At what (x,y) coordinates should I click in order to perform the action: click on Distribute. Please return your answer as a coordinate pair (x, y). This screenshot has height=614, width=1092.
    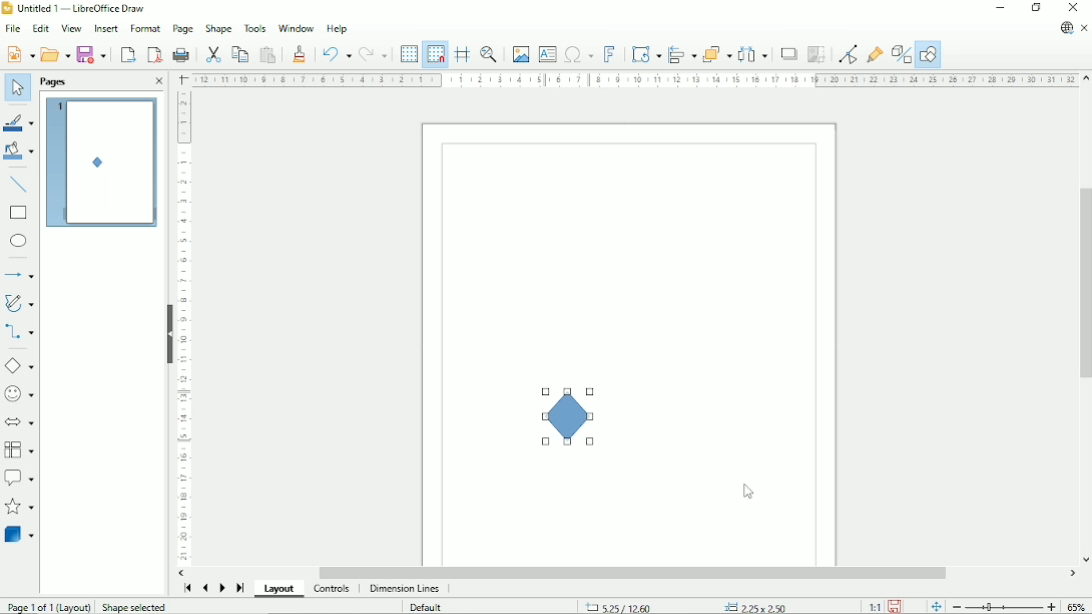
    Looking at the image, I should click on (753, 53).